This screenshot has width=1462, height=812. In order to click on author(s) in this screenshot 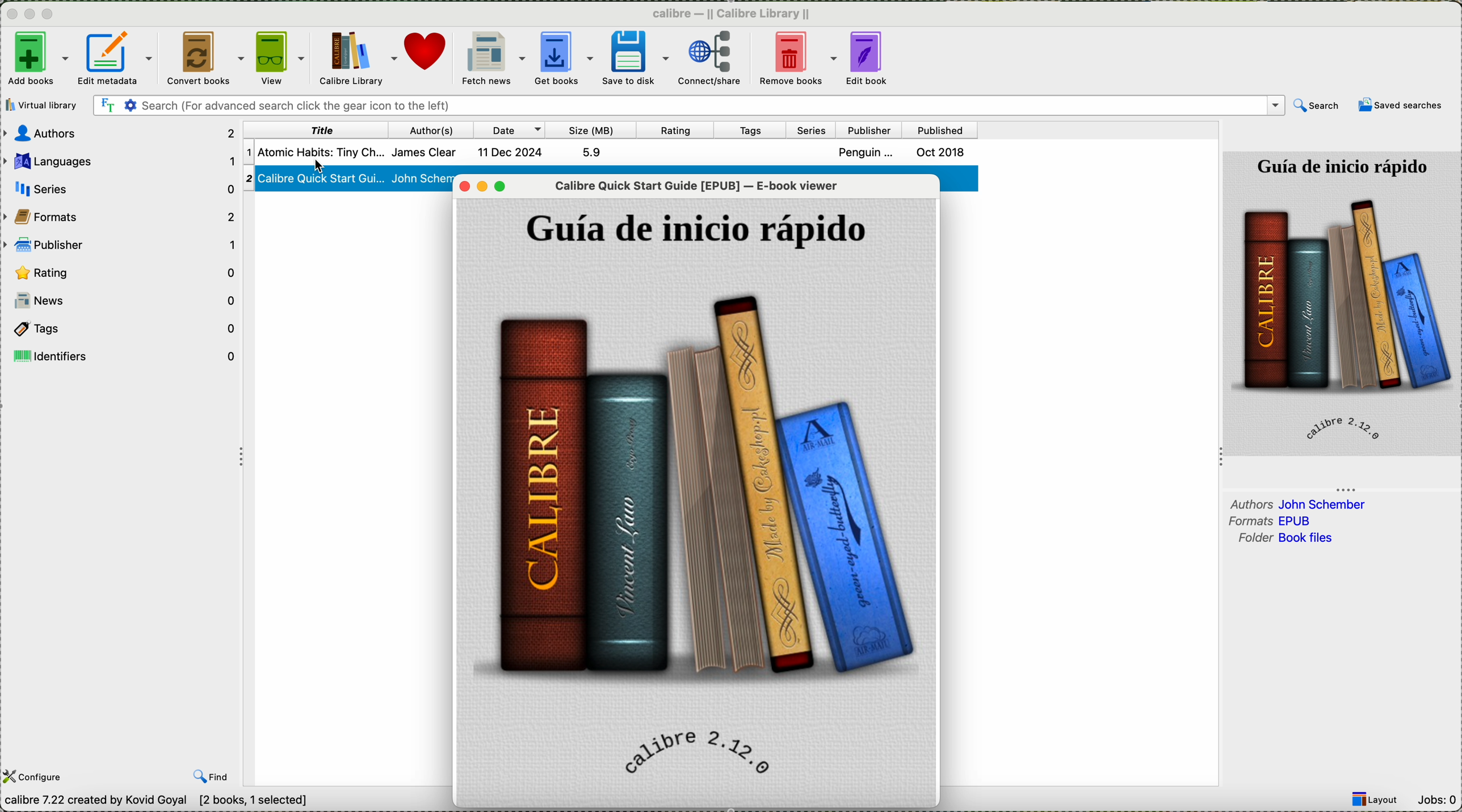, I will do `click(430, 131)`.